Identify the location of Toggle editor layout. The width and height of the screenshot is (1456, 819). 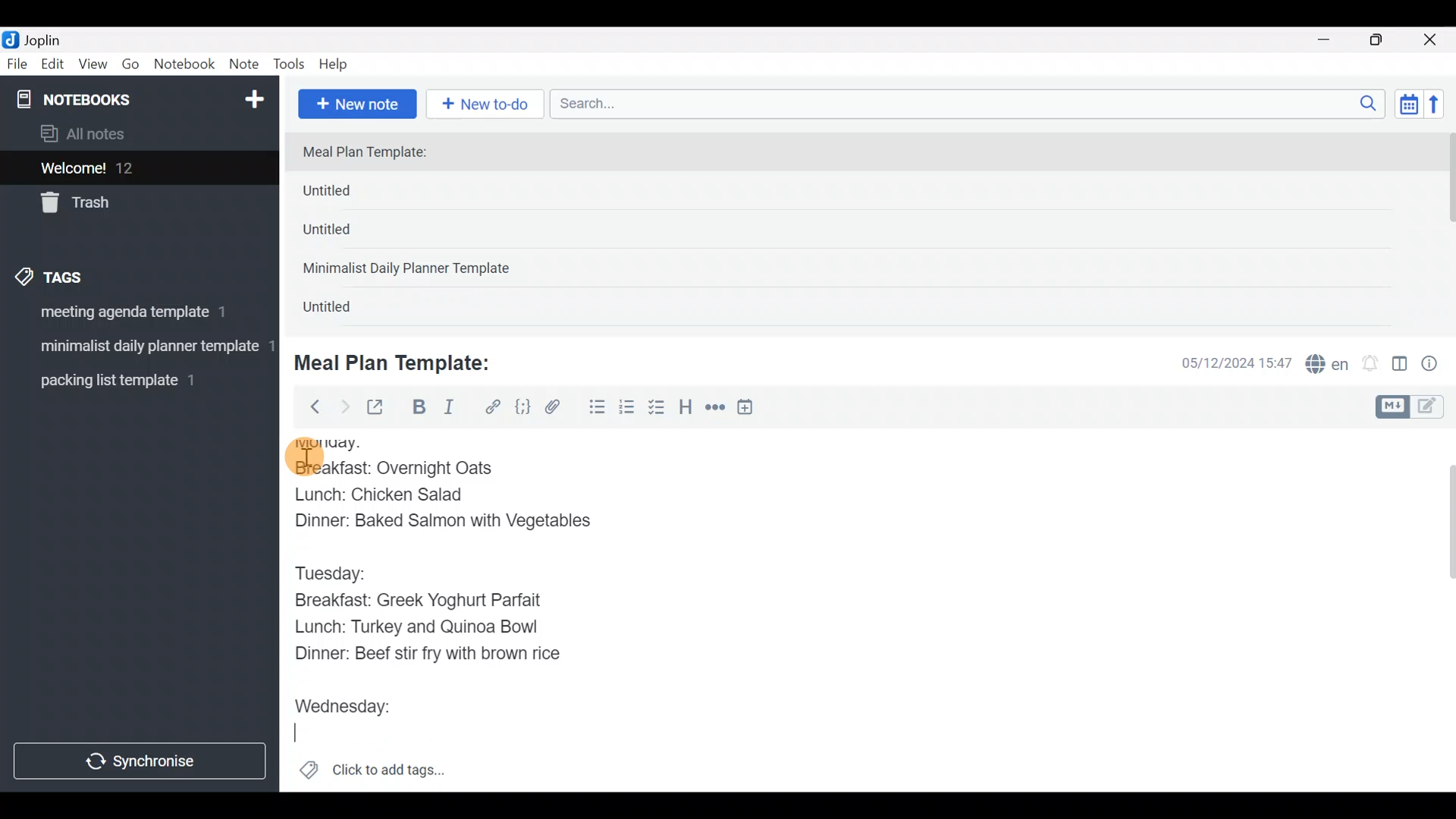
(1401, 366).